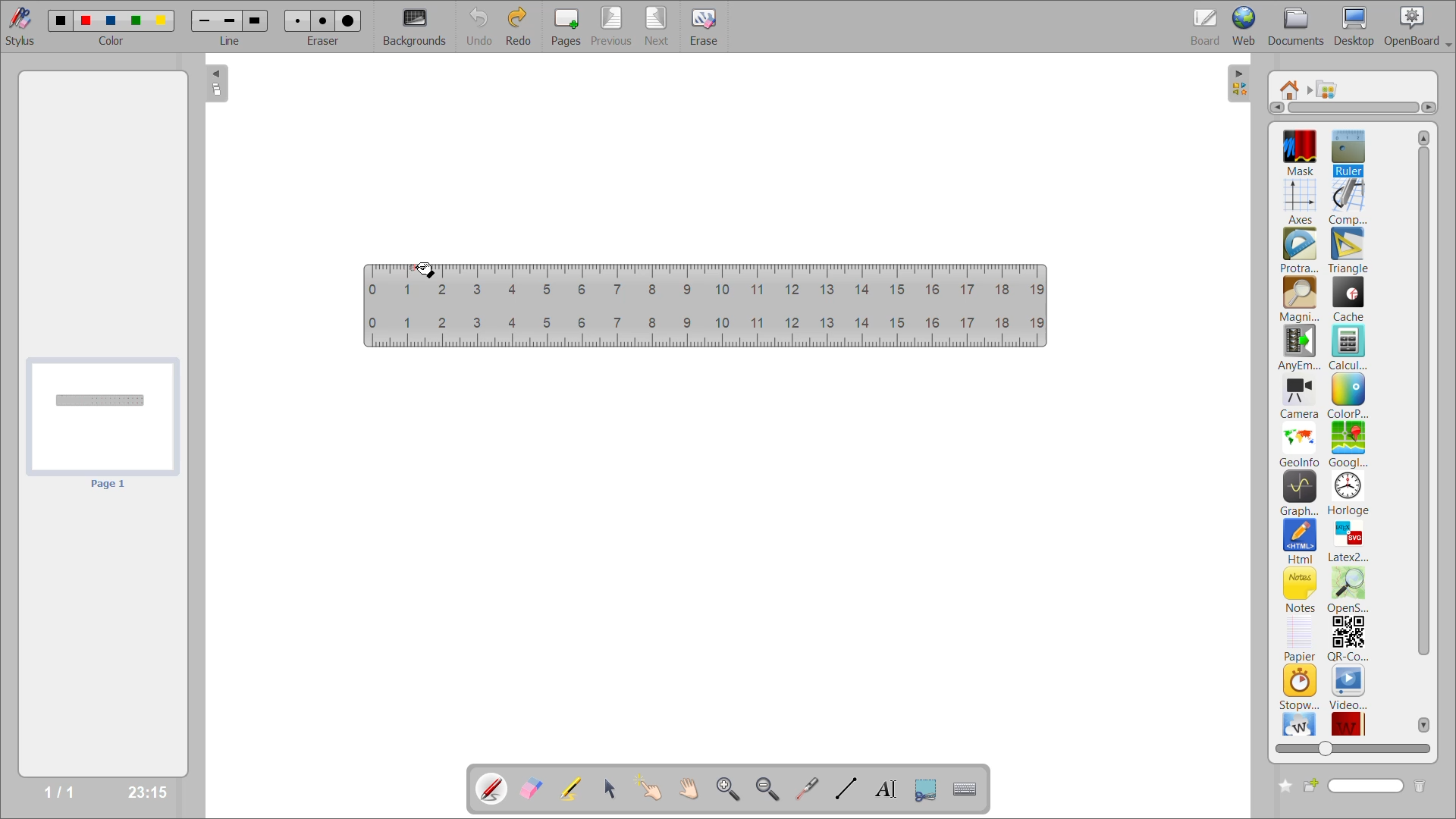 Image resolution: width=1456 pixels, height=819 pixels. What do you see at coordinates (218, 85) in the screenshot?
I see `collapse` at bounding box center [218, 85].